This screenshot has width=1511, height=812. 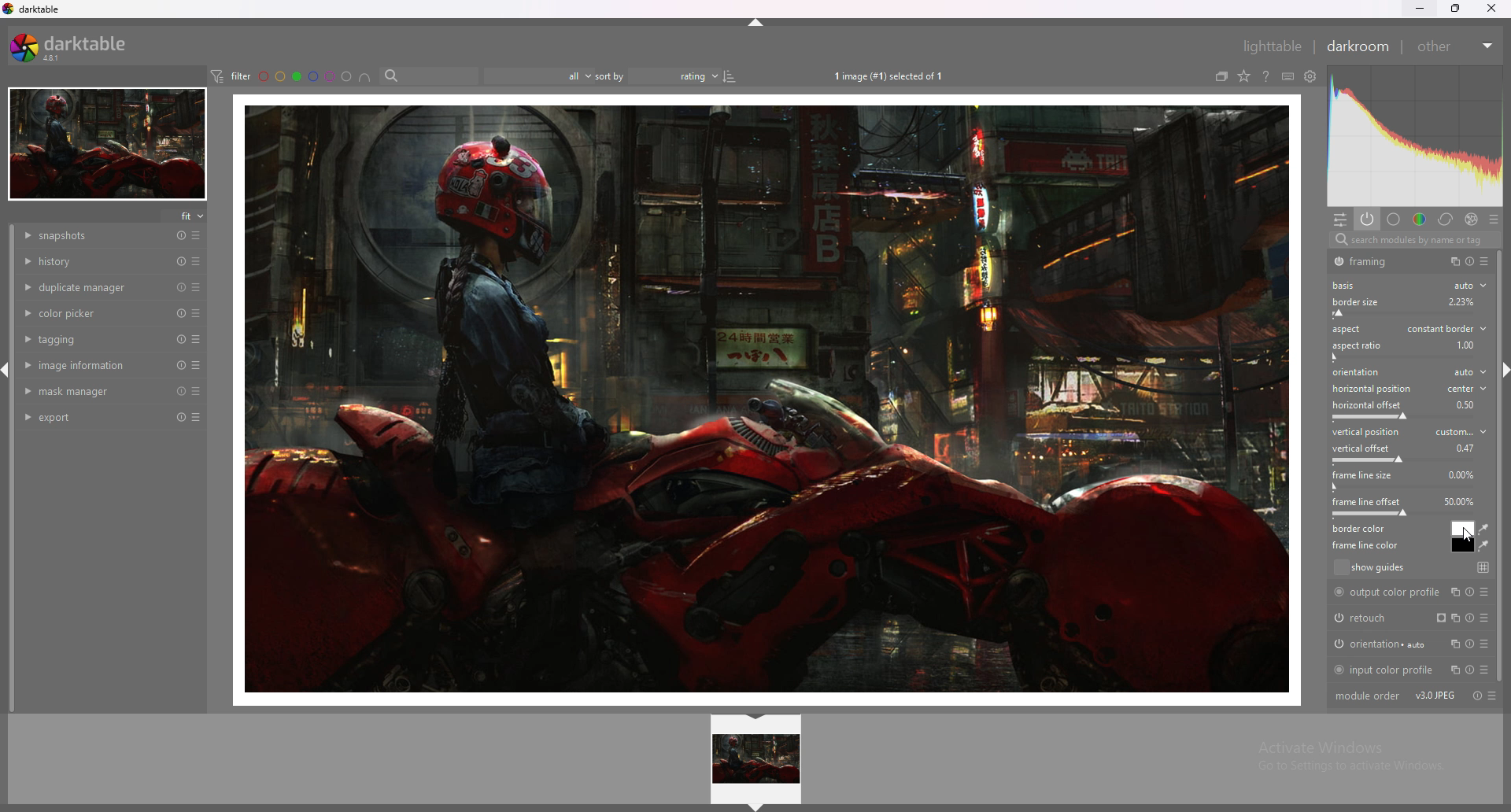 I want to click on snapshots, so click(x=96, y=237).